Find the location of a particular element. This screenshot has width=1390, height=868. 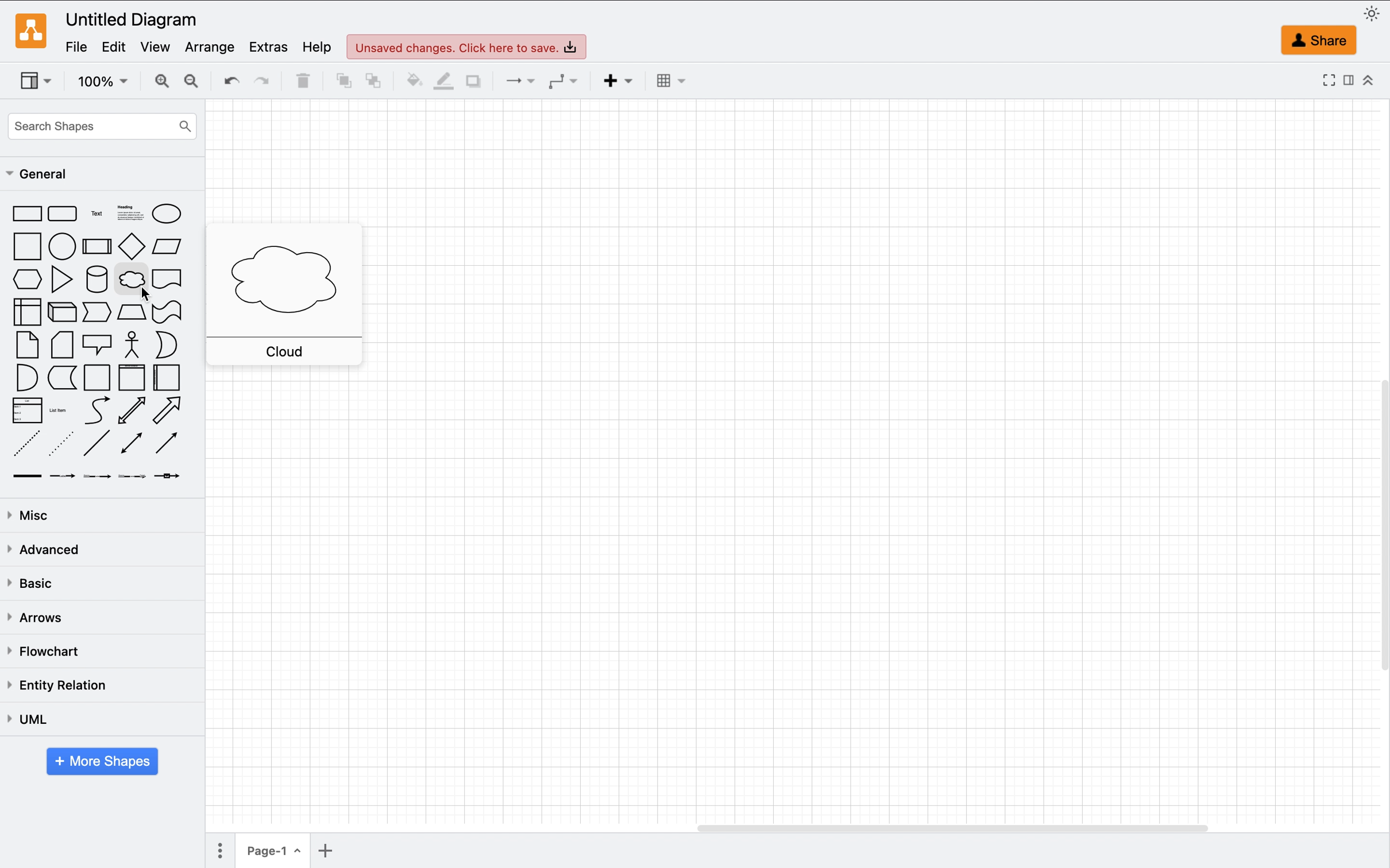

cylinder is located at coordinates (94, 280).